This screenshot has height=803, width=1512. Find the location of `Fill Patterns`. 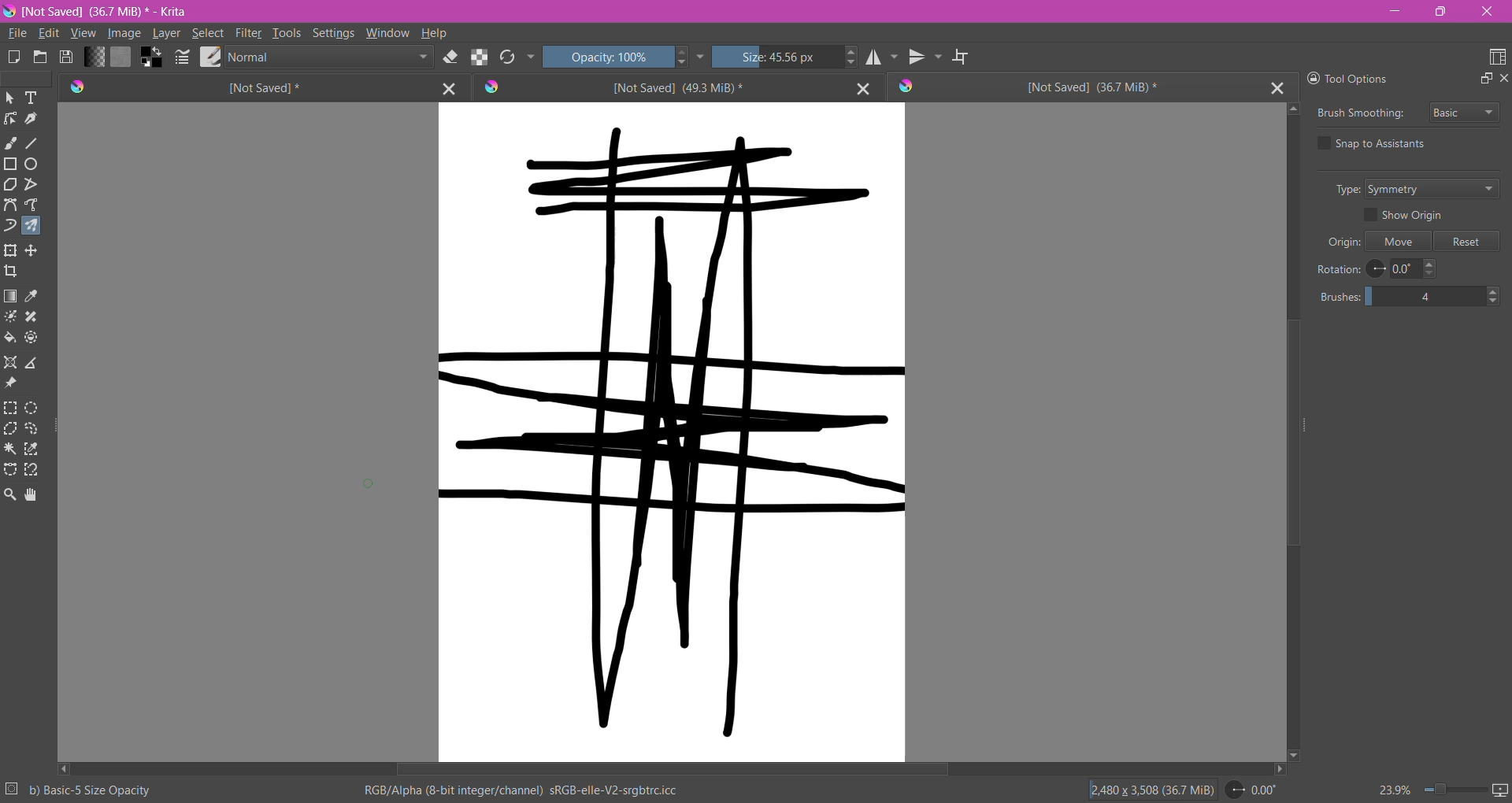

Fill Patterns is located at coordinates (122, 57).